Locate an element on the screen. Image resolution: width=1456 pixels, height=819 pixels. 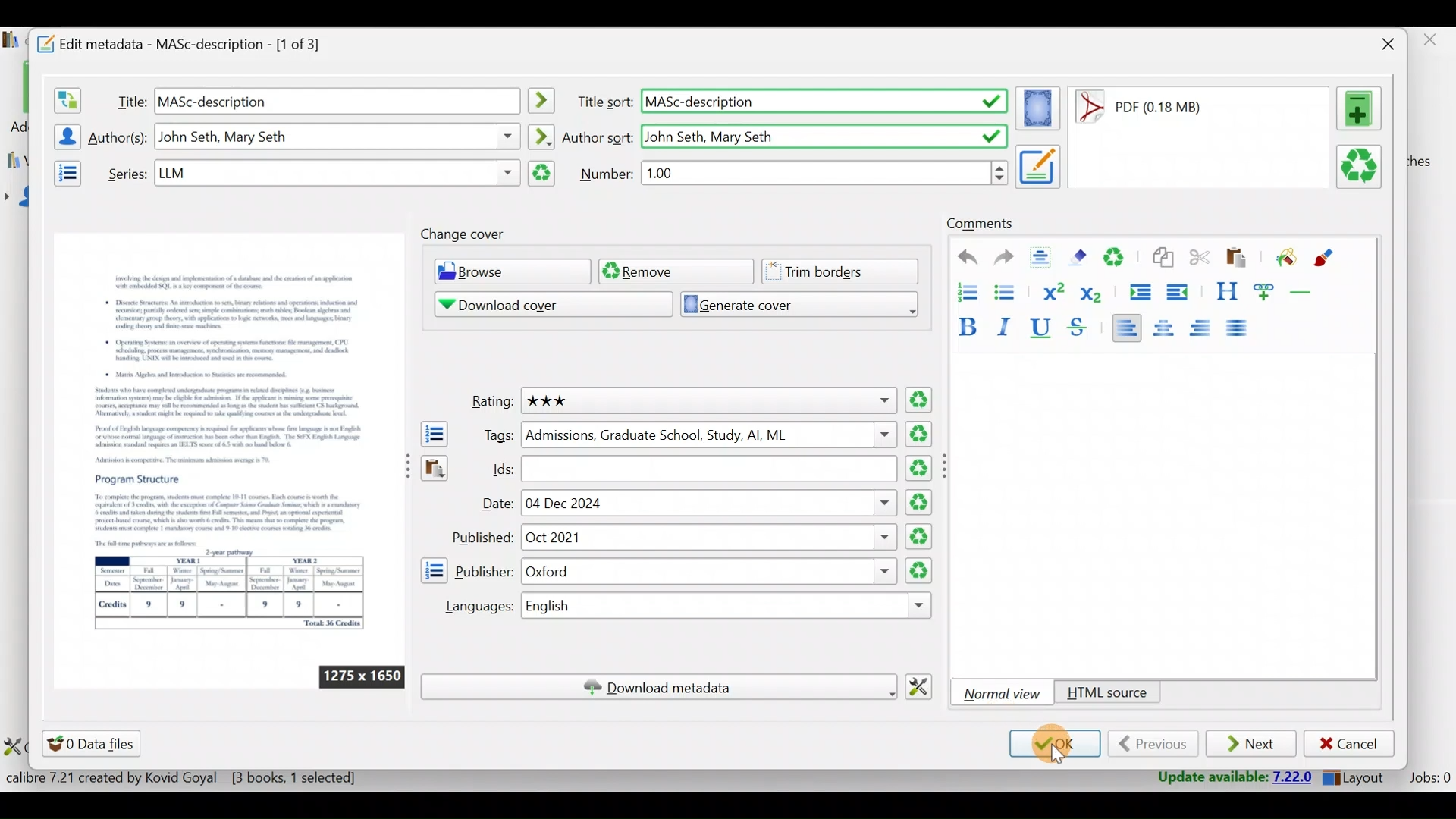
 is located at coordinates (708, 572).